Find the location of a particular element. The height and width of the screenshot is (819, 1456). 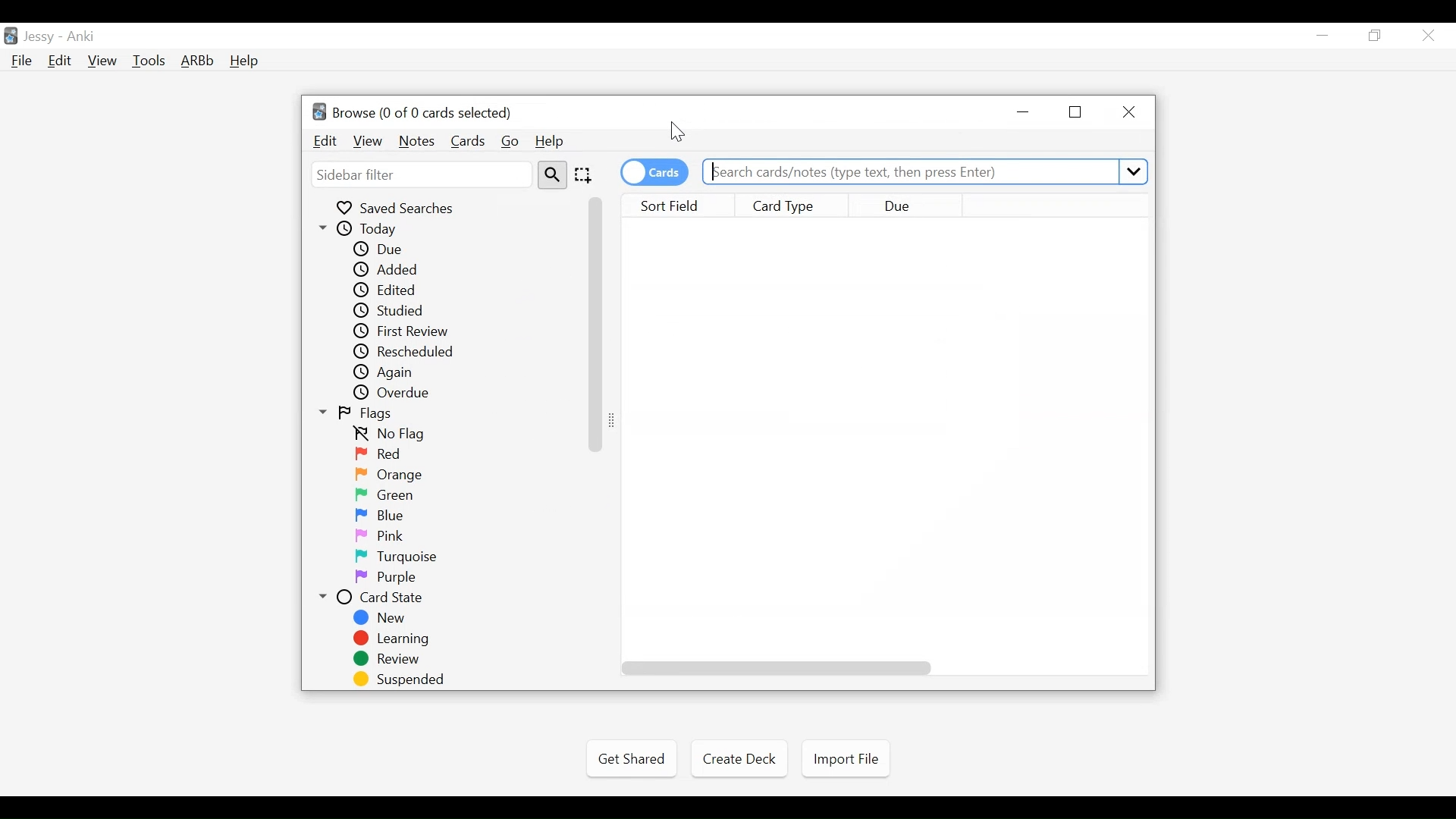

Flags is located at coordinates (366, 414).